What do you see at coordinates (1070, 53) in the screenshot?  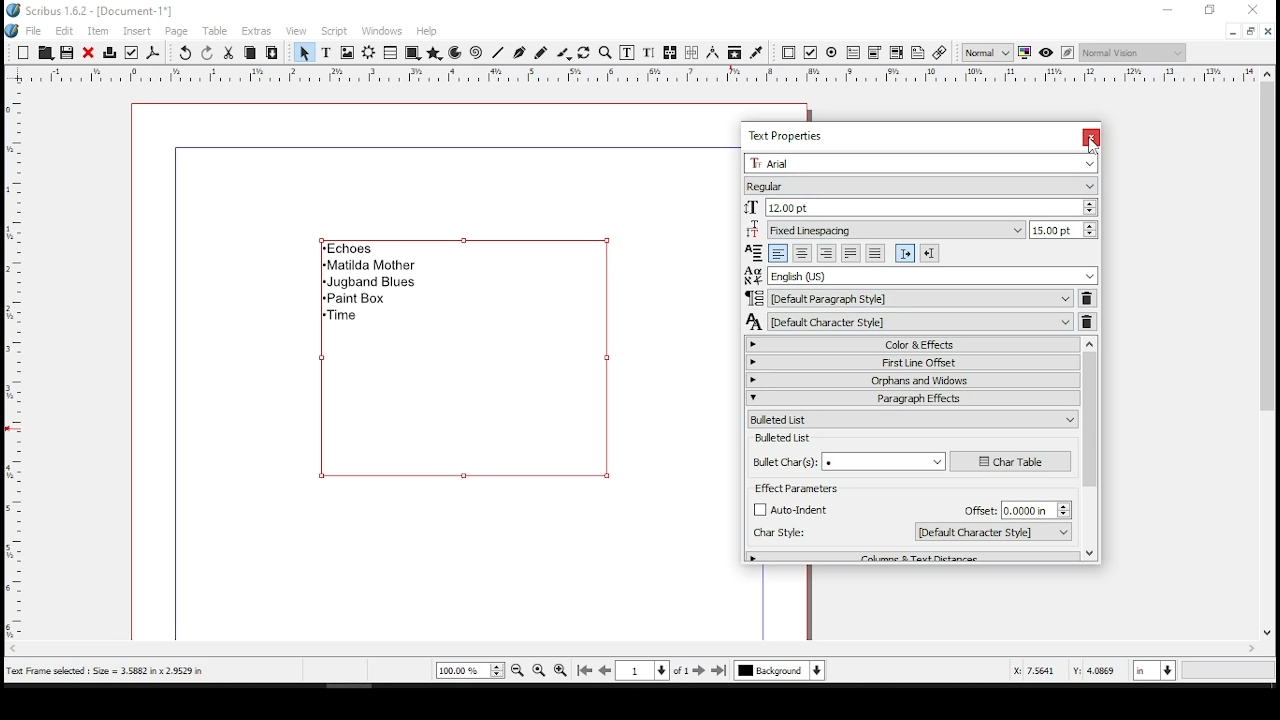 I see `edit in preview mode` at bounding box center [1070, 53].